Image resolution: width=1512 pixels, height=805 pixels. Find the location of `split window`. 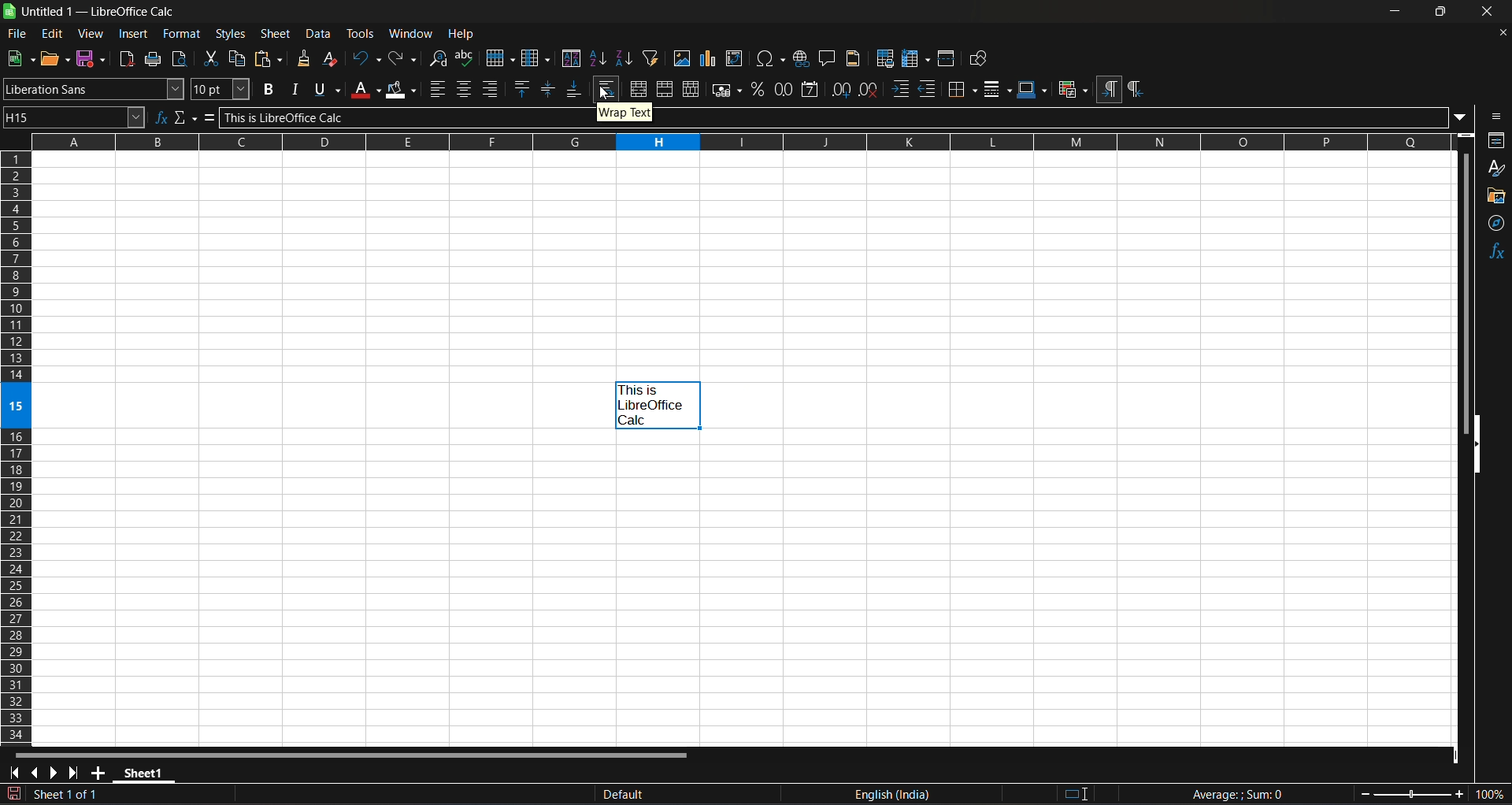

split window is located at coordinates (947, 58).